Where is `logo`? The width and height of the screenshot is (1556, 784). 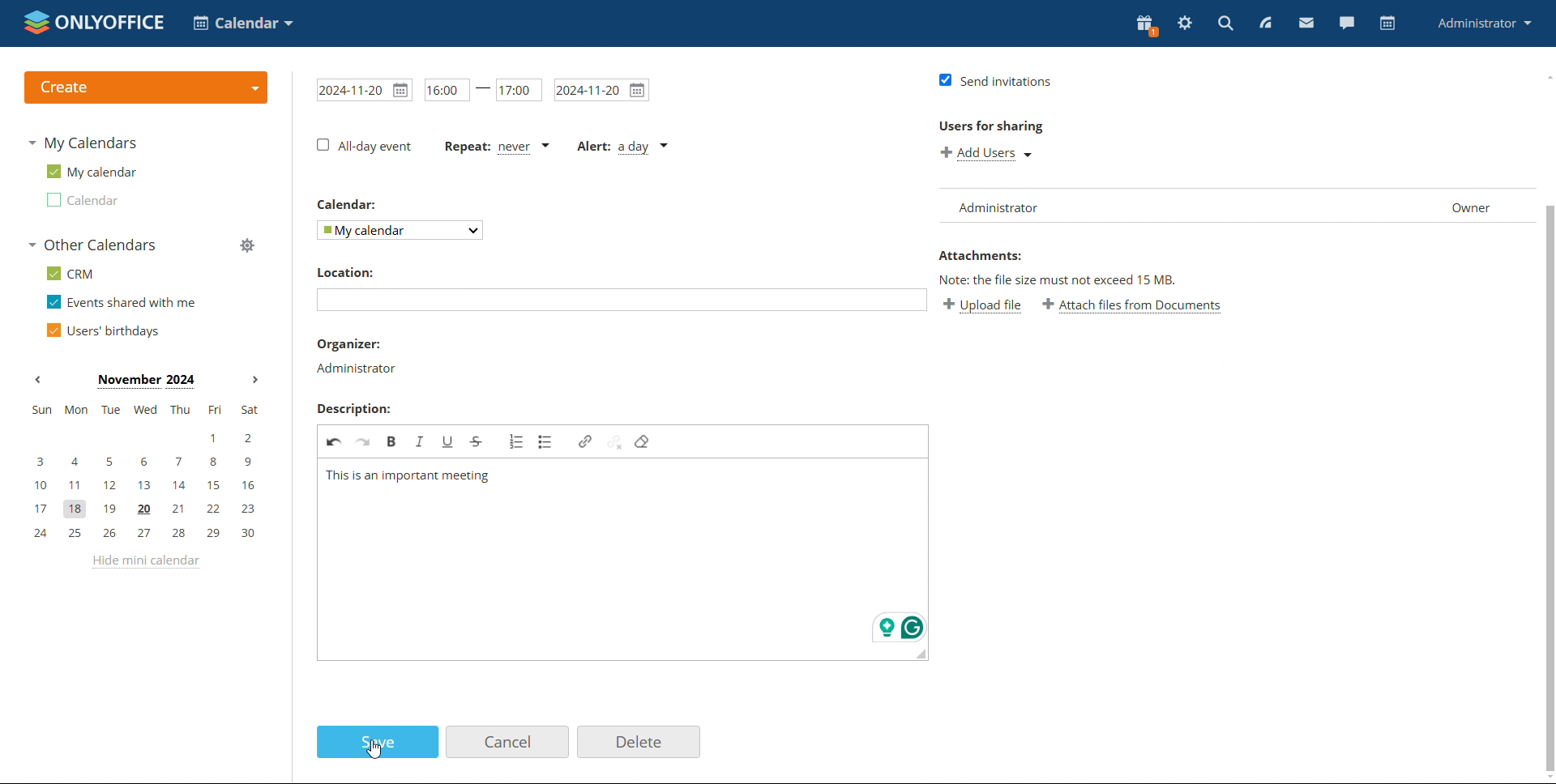
logo is located at coordinates (95, 23).